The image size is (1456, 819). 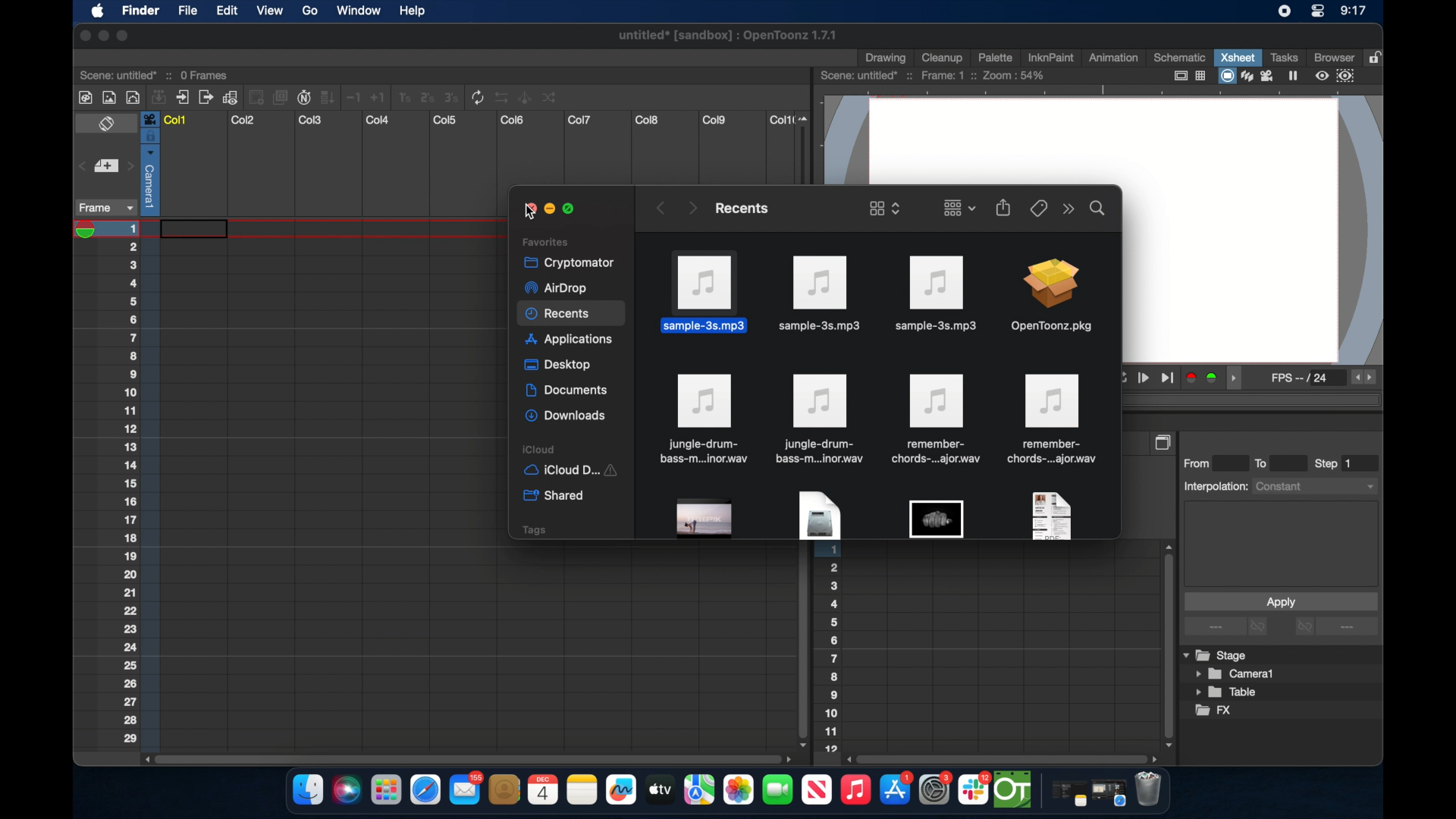 I want to click on slider, so click(x=807, y=147).